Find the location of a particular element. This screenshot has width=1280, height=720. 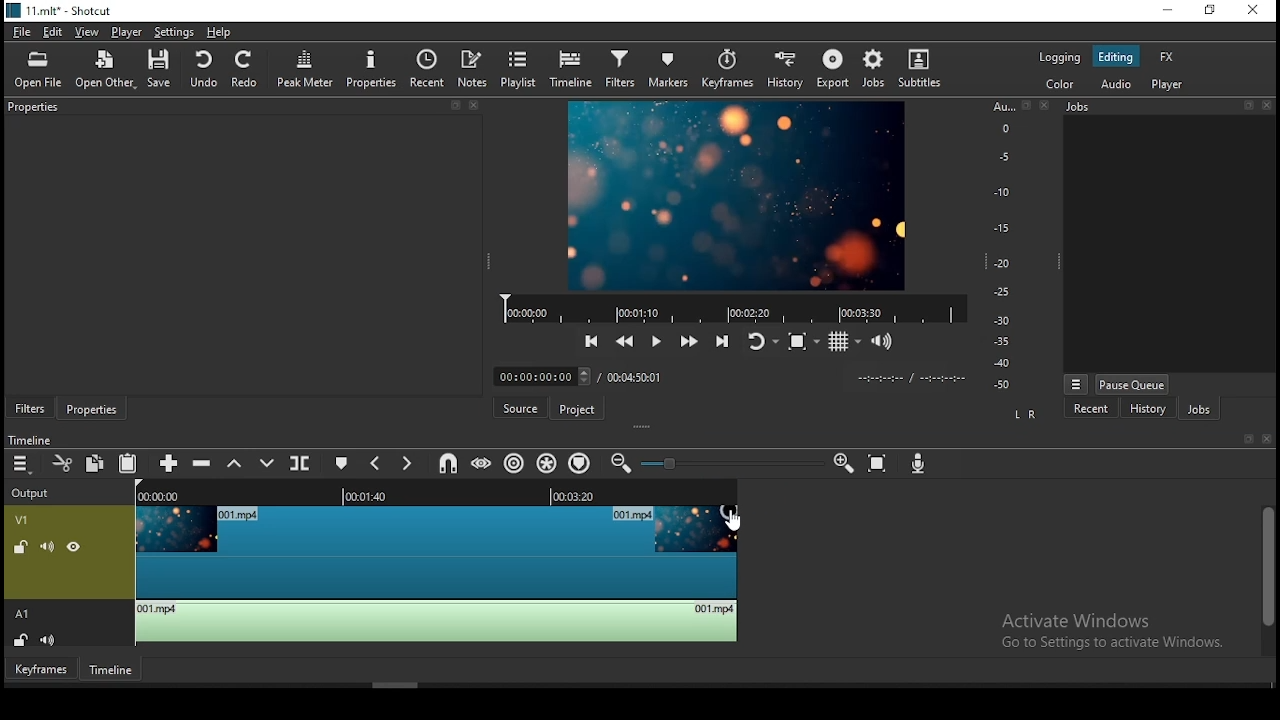

subtitles is located at coordinates (921, 73).